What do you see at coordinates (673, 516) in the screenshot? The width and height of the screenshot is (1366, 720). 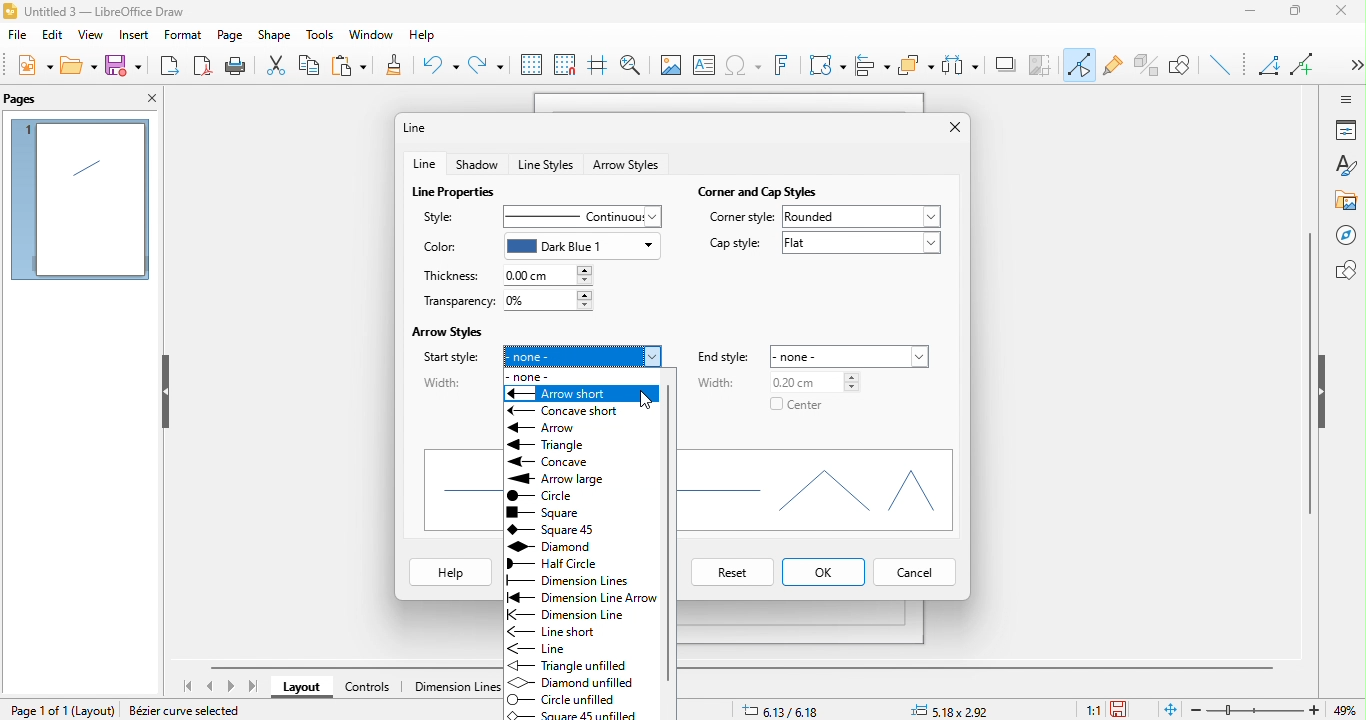 I see `vertical scroll bar` at bounding box center [673, 516].